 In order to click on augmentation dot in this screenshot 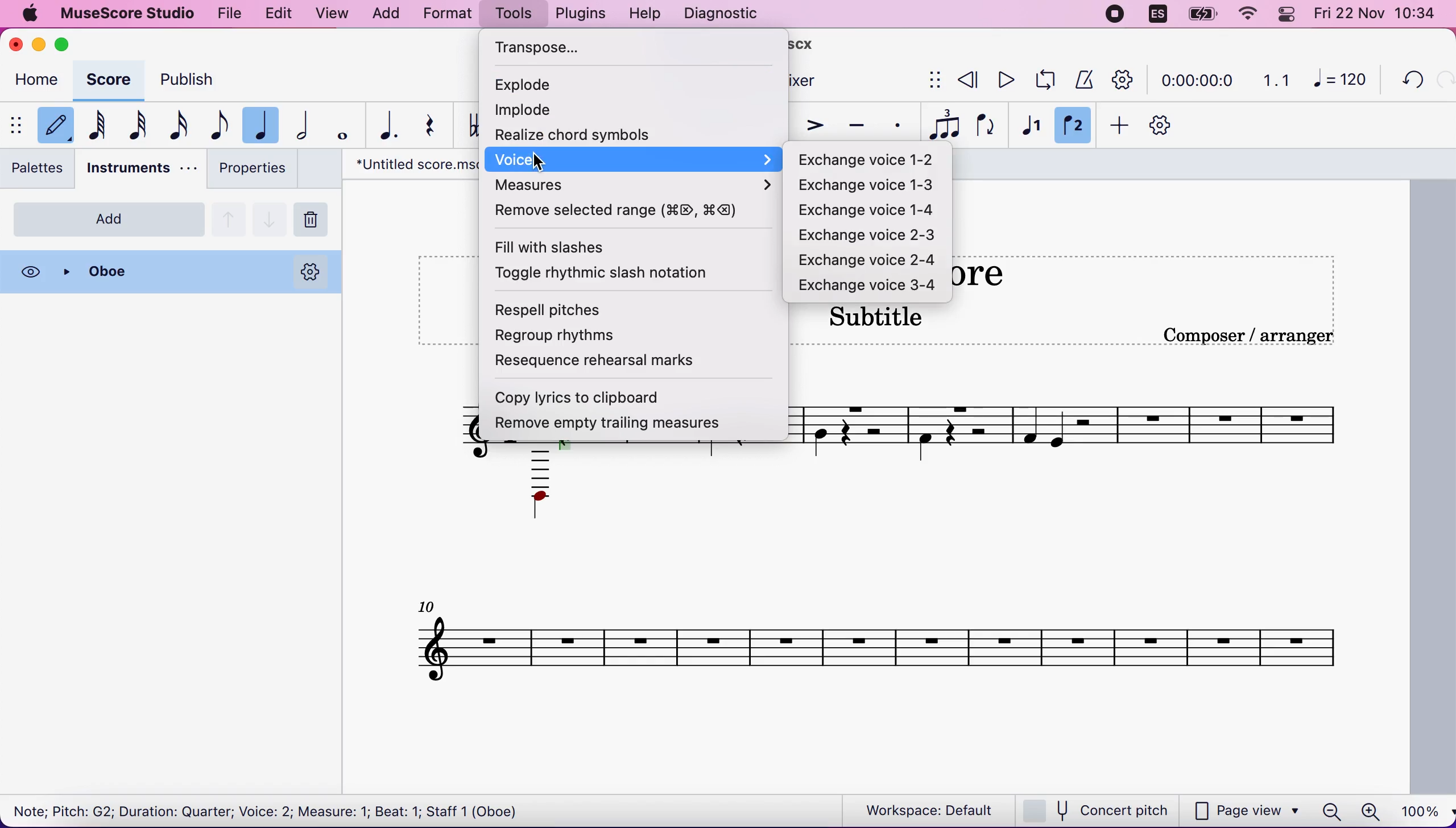, I will do `click(391, 124)`.